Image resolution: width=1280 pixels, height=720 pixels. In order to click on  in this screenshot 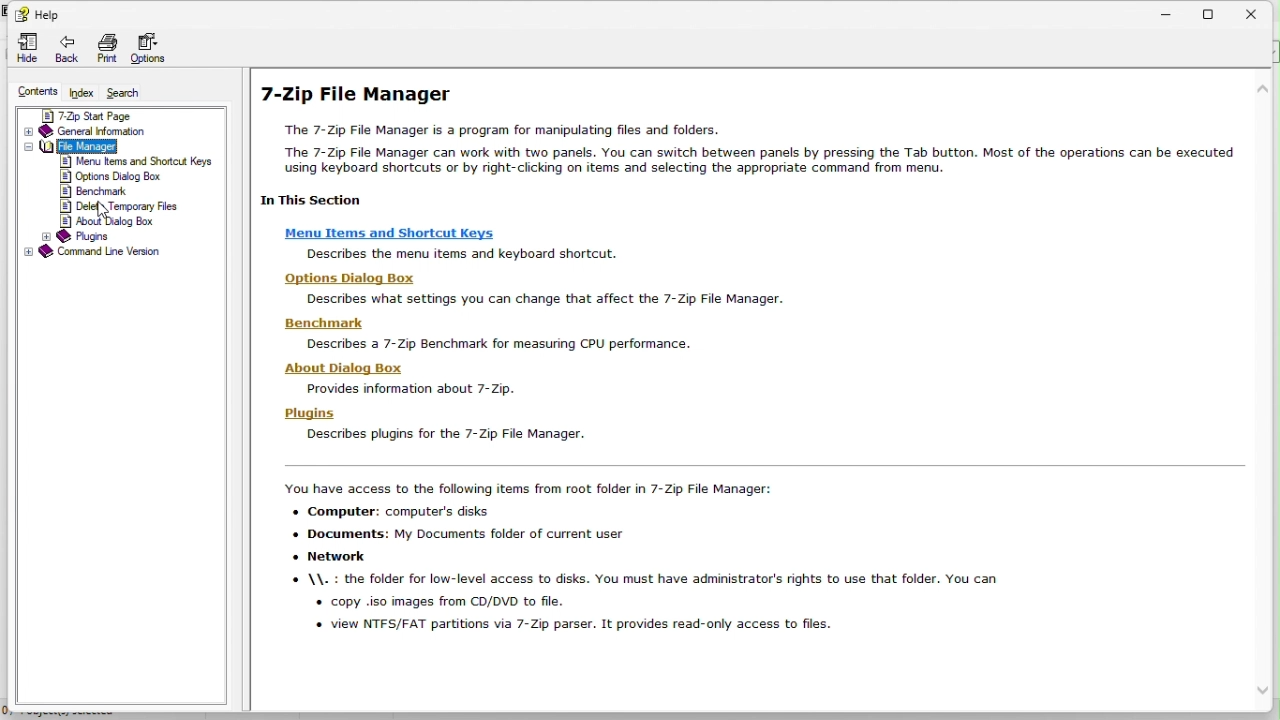, I will do `click(24, 49)`.